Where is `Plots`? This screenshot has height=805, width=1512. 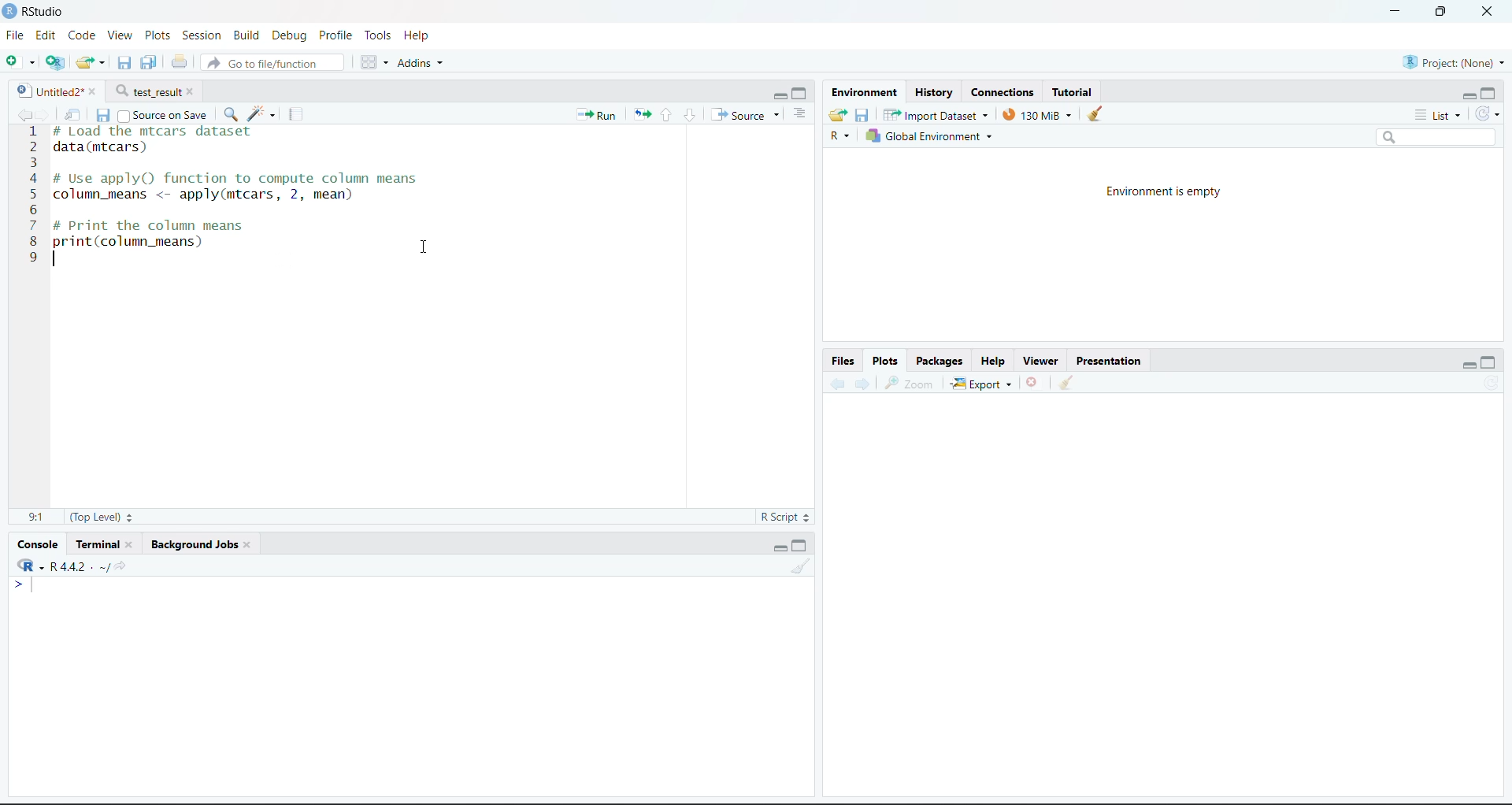
Plots is located at coordinates (154, 34).